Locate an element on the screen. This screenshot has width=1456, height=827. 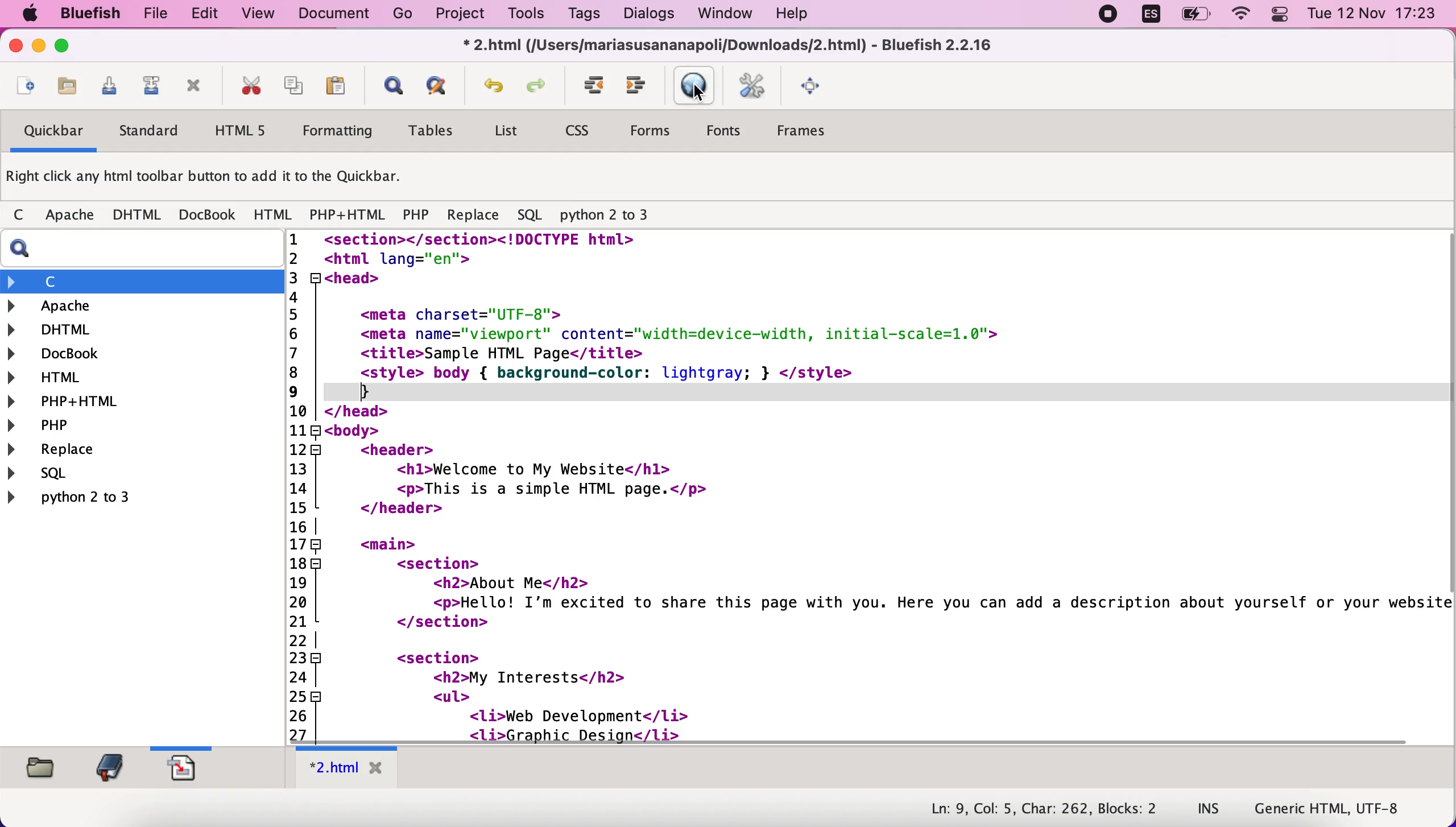
indent is located at coordinates (595, 86).